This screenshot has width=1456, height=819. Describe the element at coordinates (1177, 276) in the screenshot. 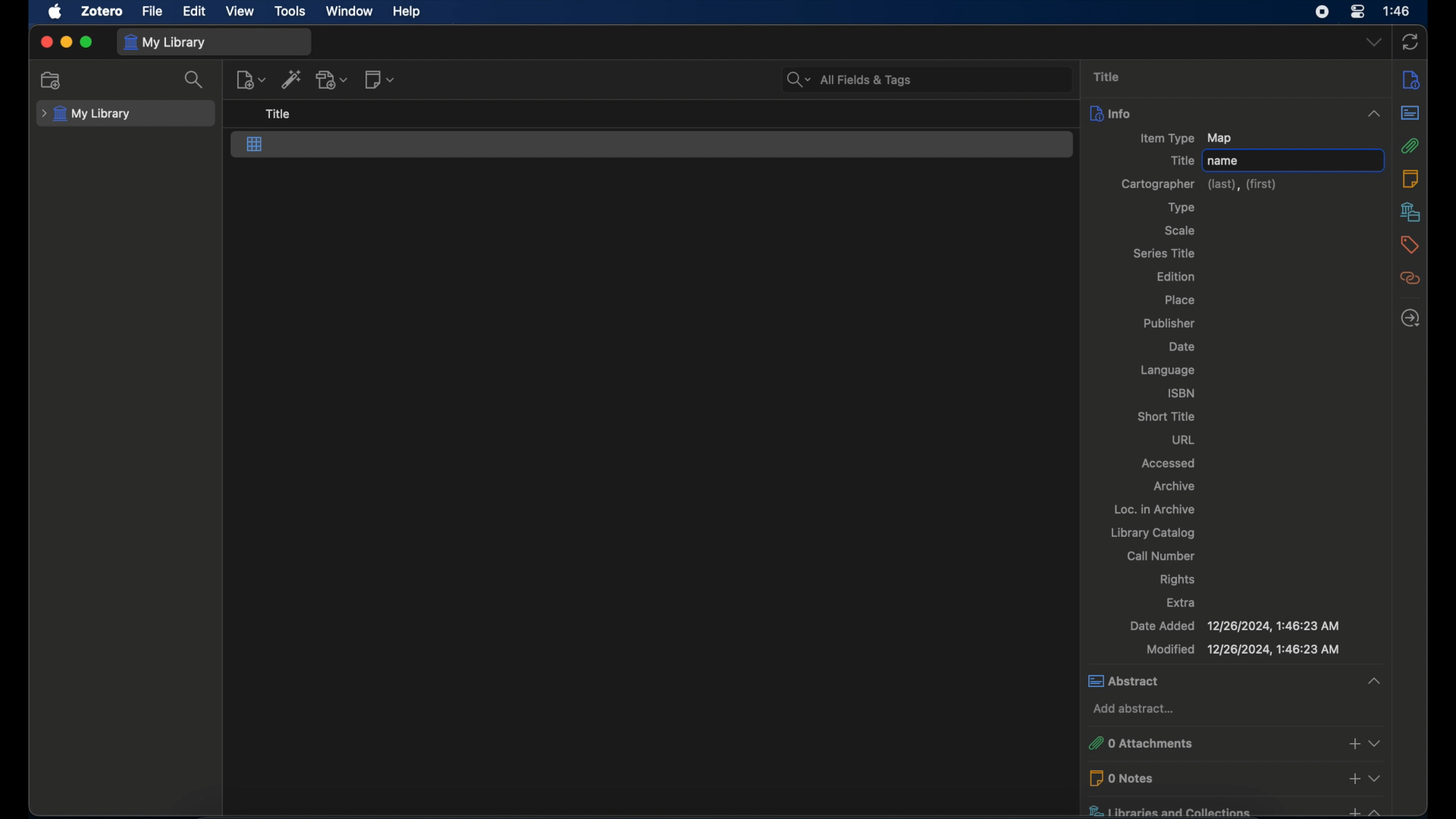

I see `edition` at that location.